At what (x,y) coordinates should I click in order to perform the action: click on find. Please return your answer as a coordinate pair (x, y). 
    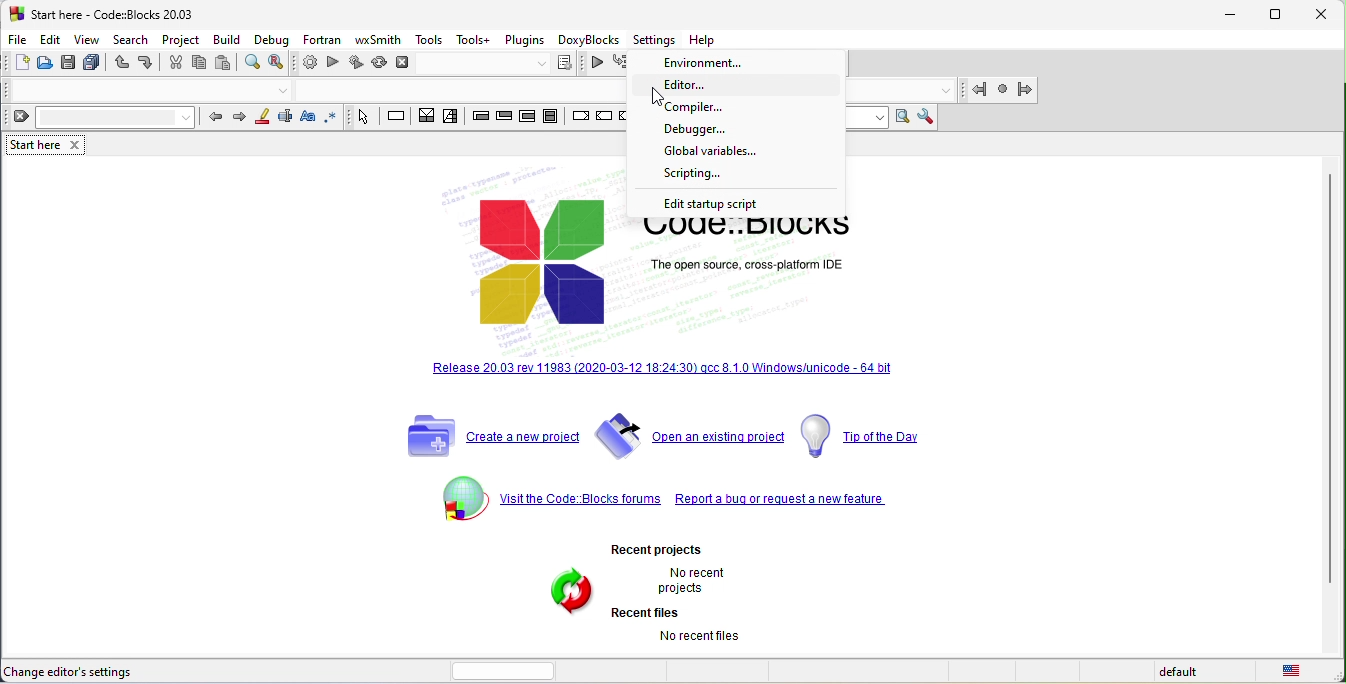
    Looking at the image, I should click on (254, 67).